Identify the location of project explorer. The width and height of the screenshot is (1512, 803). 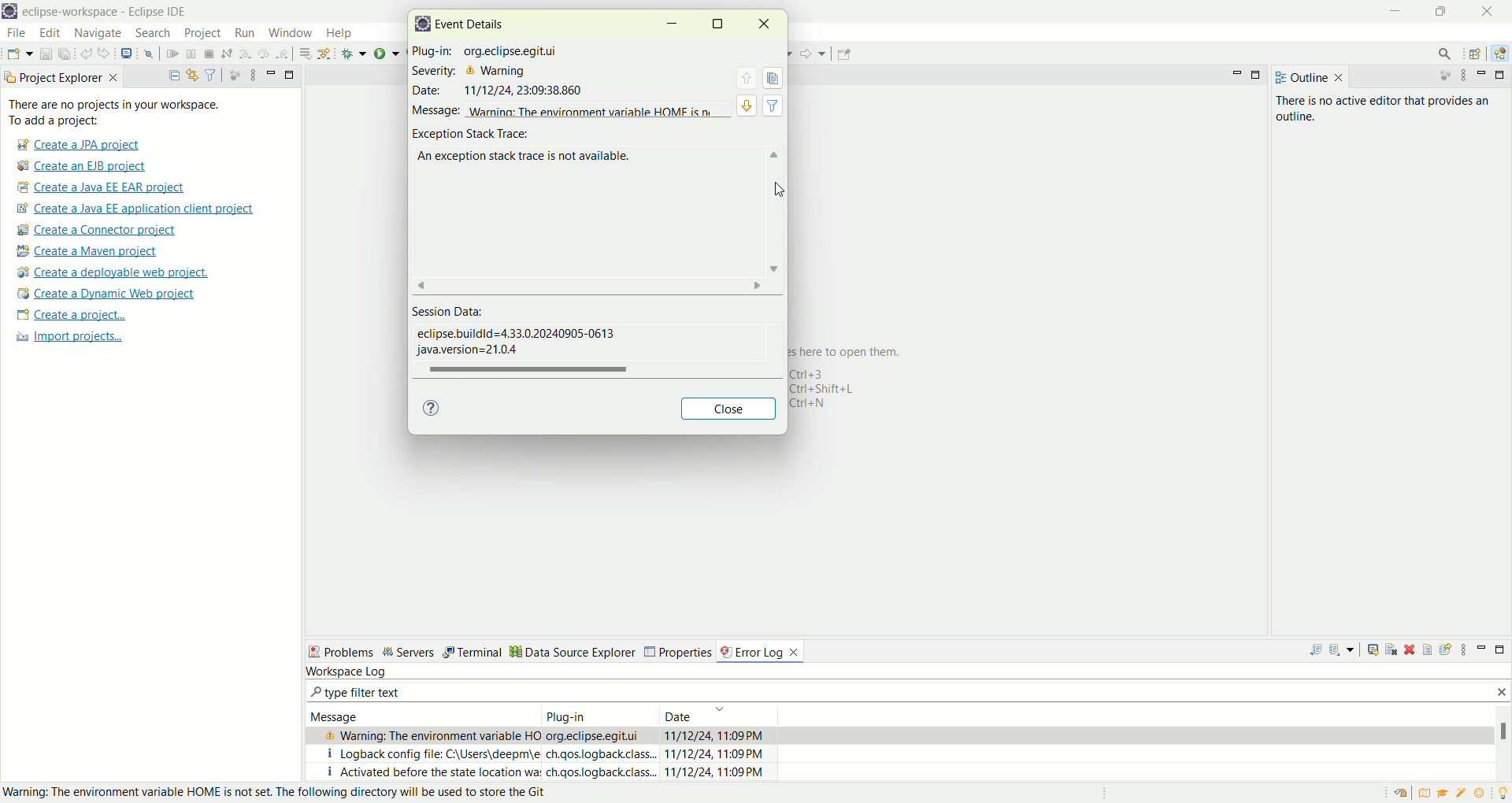
(61, 78).